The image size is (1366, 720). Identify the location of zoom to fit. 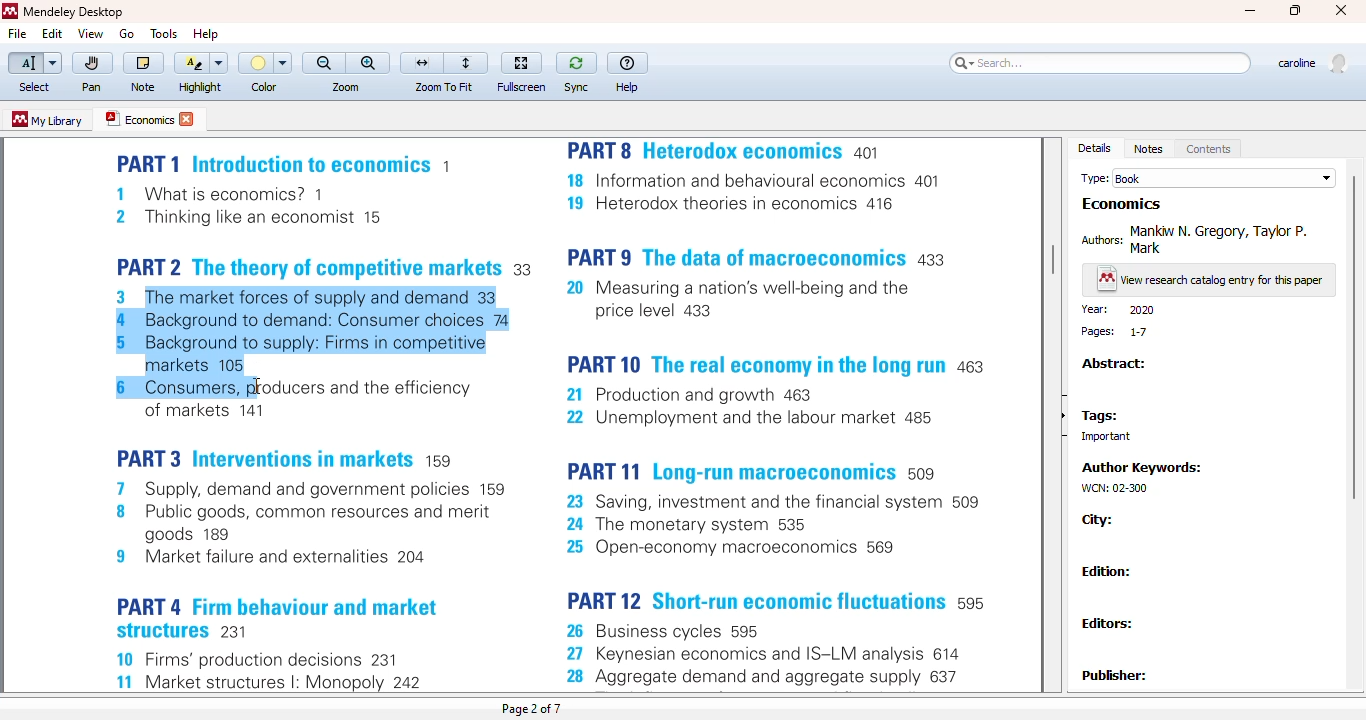
(443, 87).